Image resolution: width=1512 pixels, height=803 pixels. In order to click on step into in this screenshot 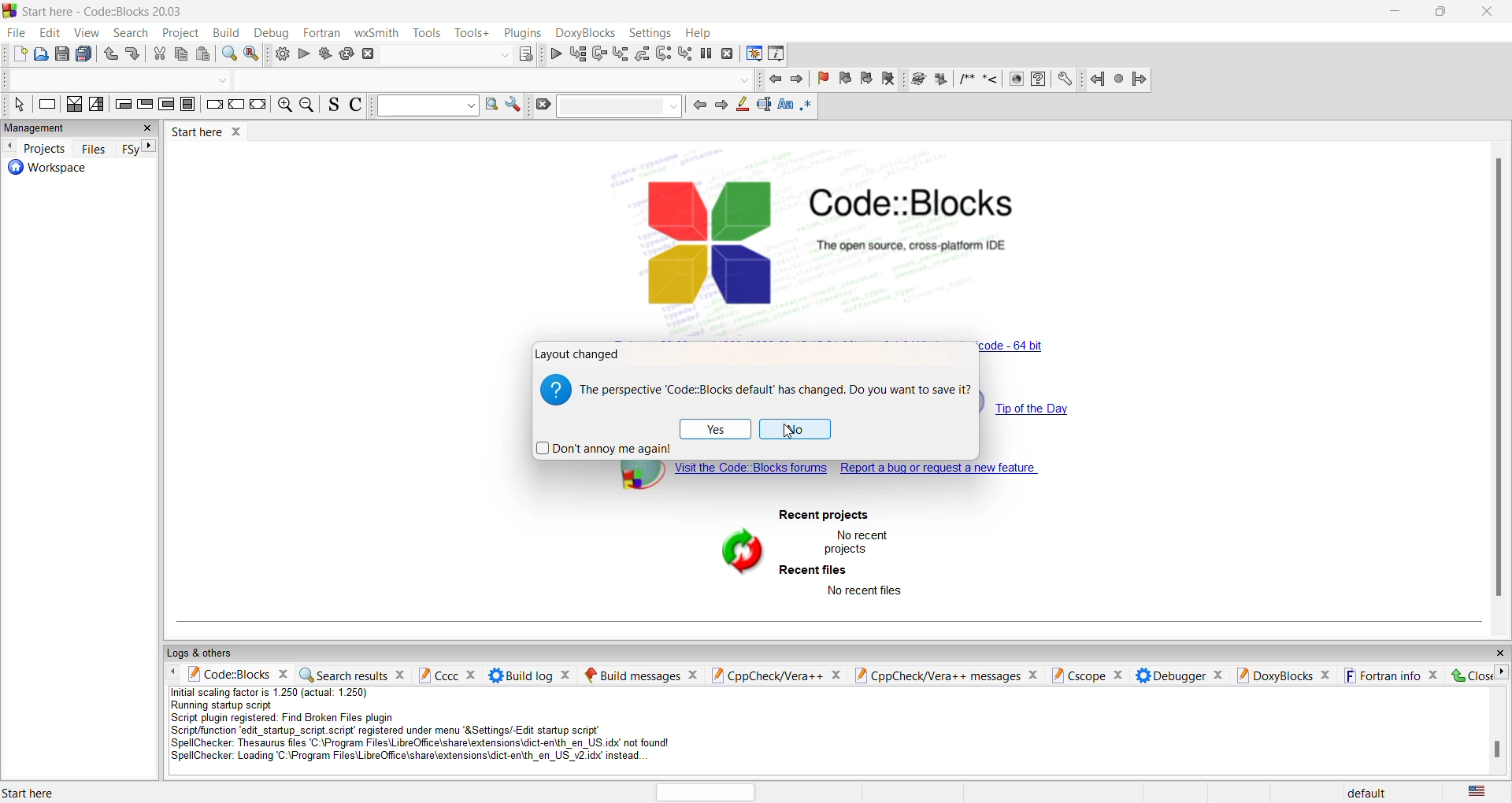, I will do `click(621, 54)`.